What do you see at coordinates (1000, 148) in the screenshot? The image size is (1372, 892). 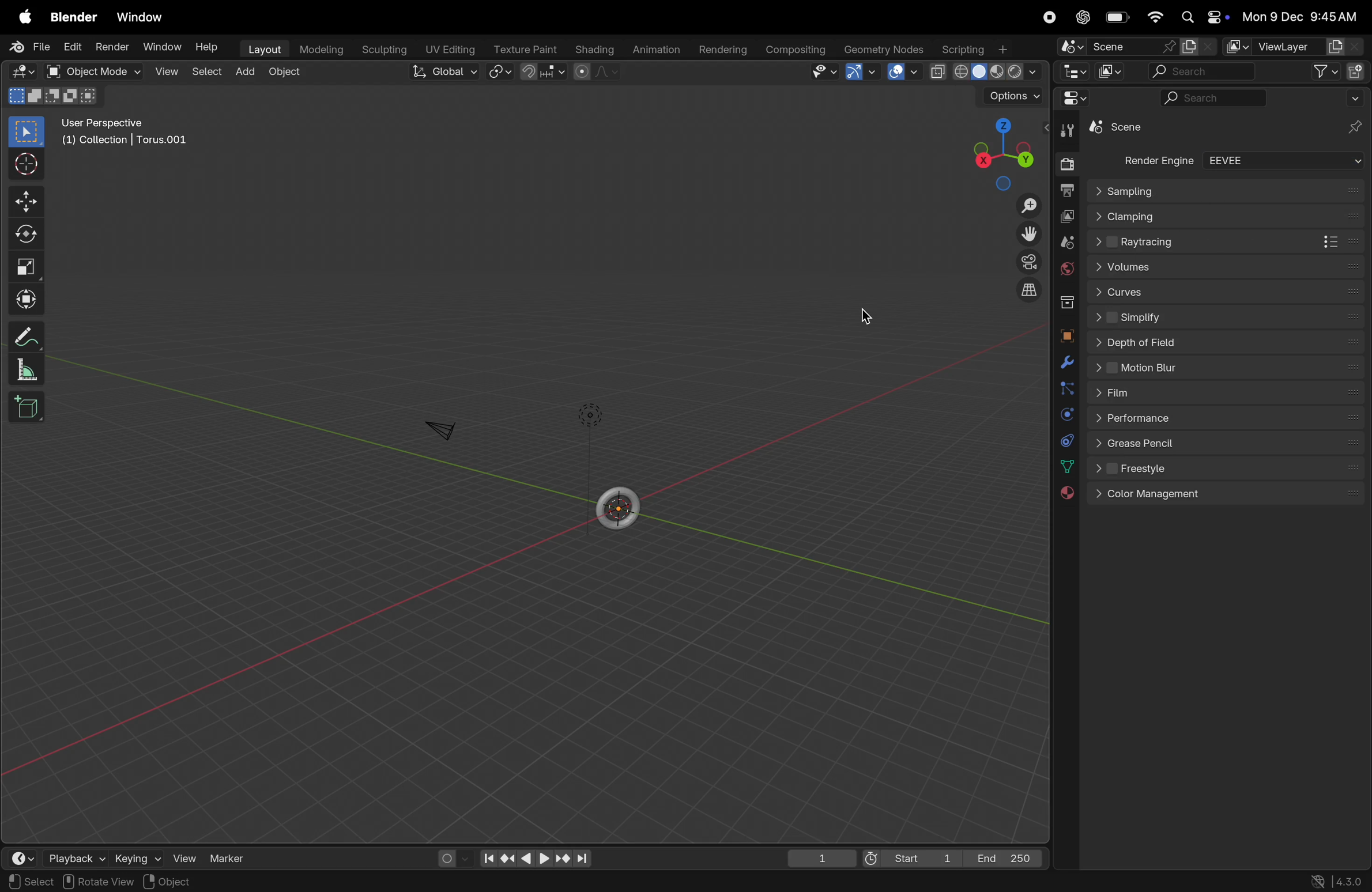 I see `view point` at bounding box center [1000, 148].